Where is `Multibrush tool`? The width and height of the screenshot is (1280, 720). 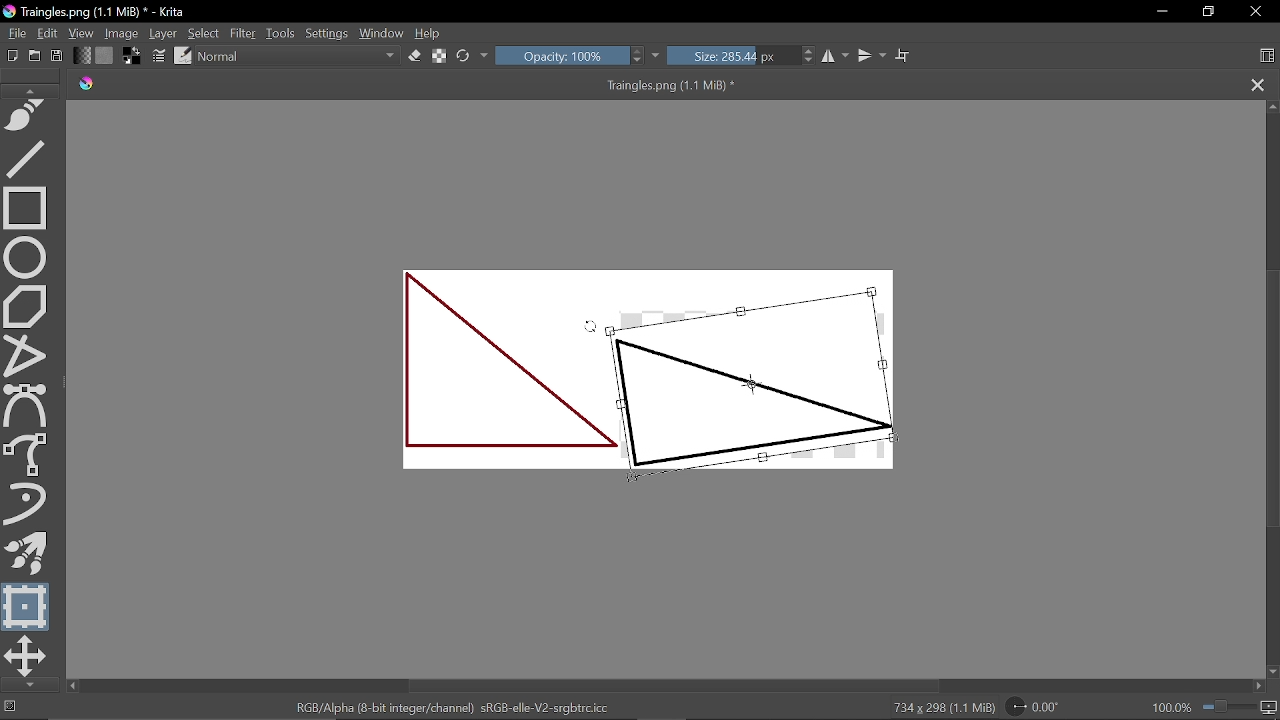
Multibrush tool is located at coordinates (27, 554).